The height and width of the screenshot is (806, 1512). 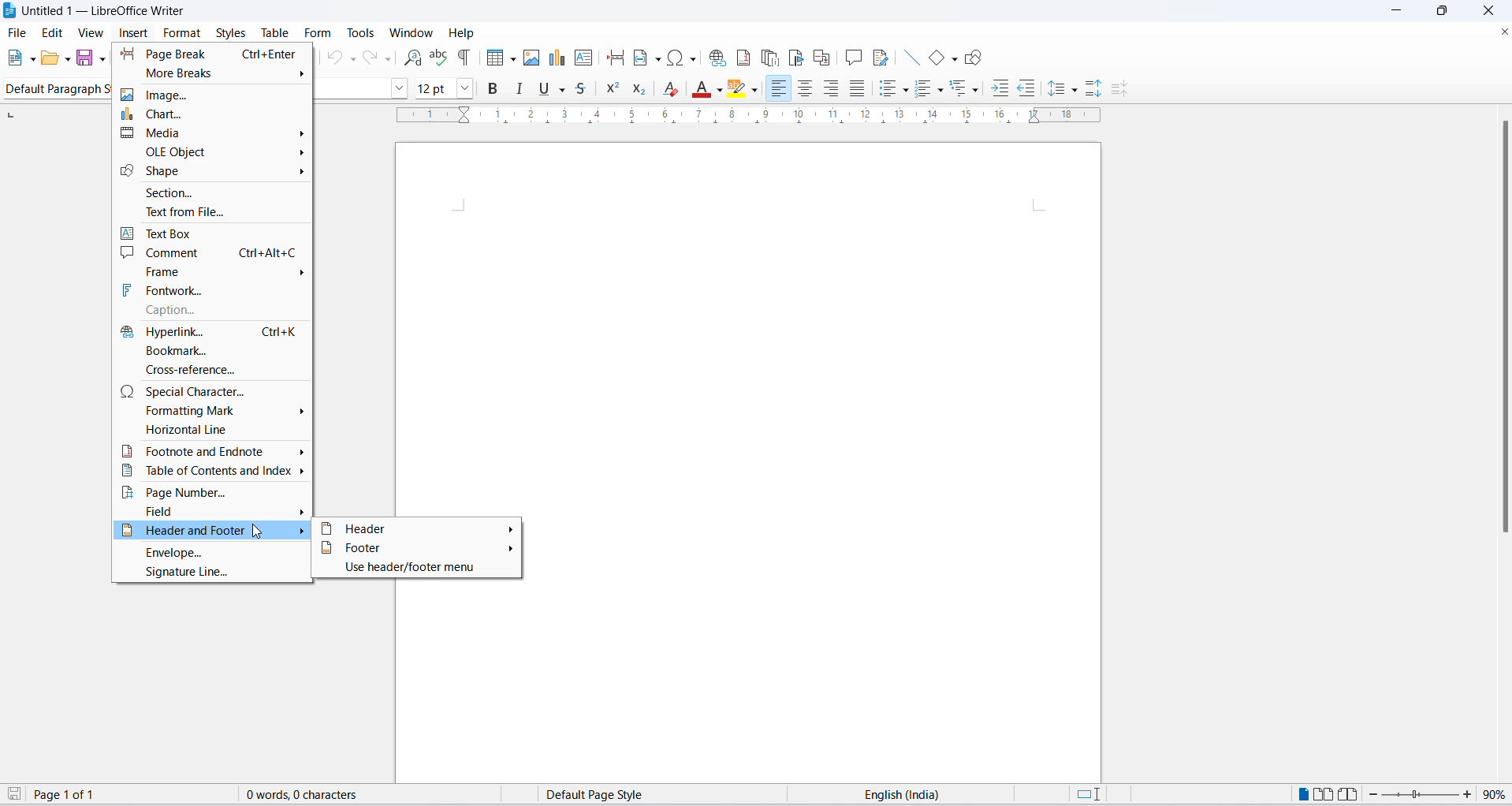 What do you see at coordinates (758, 89) in the screenshot?
I see `character highlighting options` at bounding box center [758, 89].